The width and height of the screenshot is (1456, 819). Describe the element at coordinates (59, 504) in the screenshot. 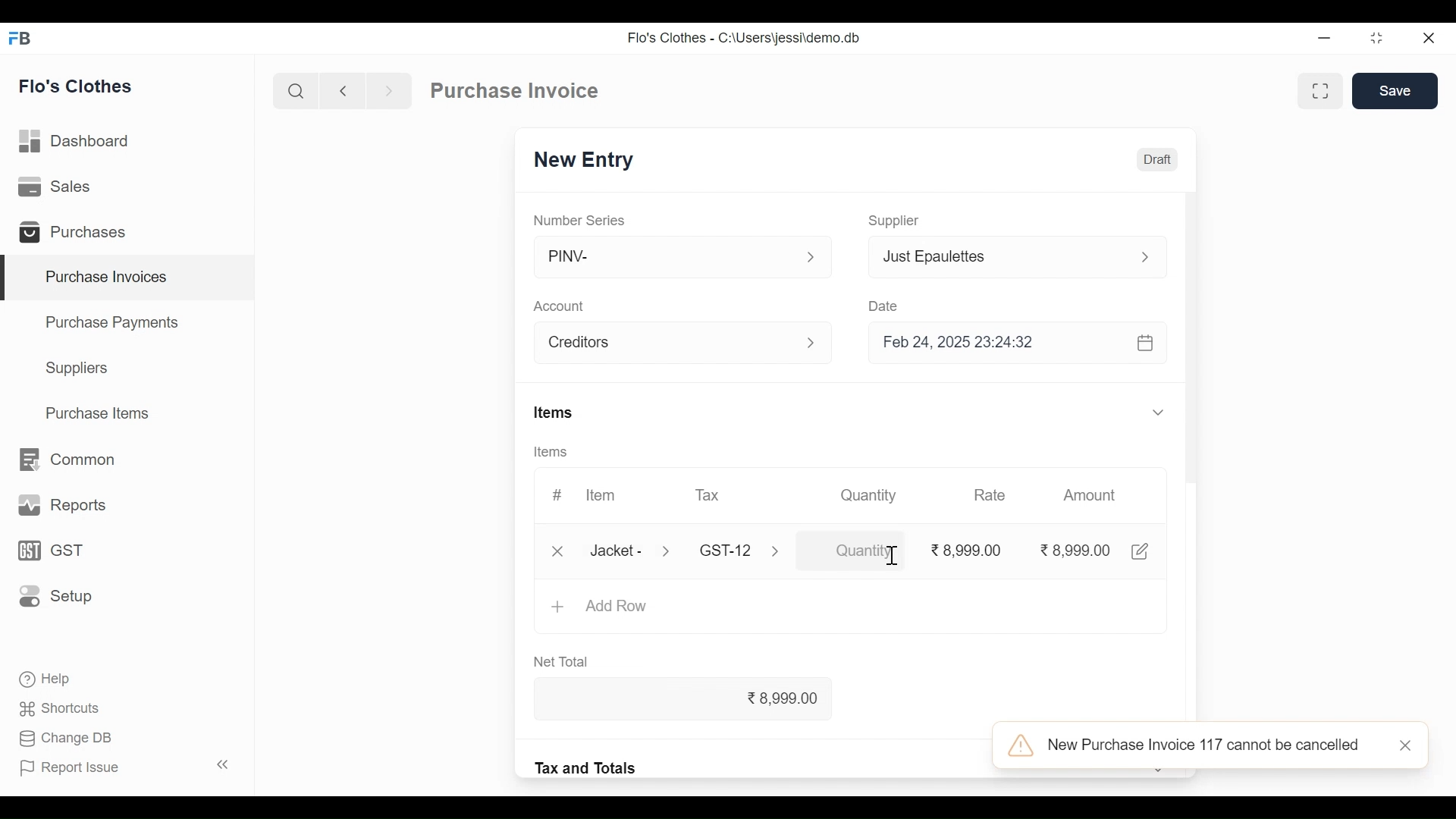

I see `Reports` at that location.